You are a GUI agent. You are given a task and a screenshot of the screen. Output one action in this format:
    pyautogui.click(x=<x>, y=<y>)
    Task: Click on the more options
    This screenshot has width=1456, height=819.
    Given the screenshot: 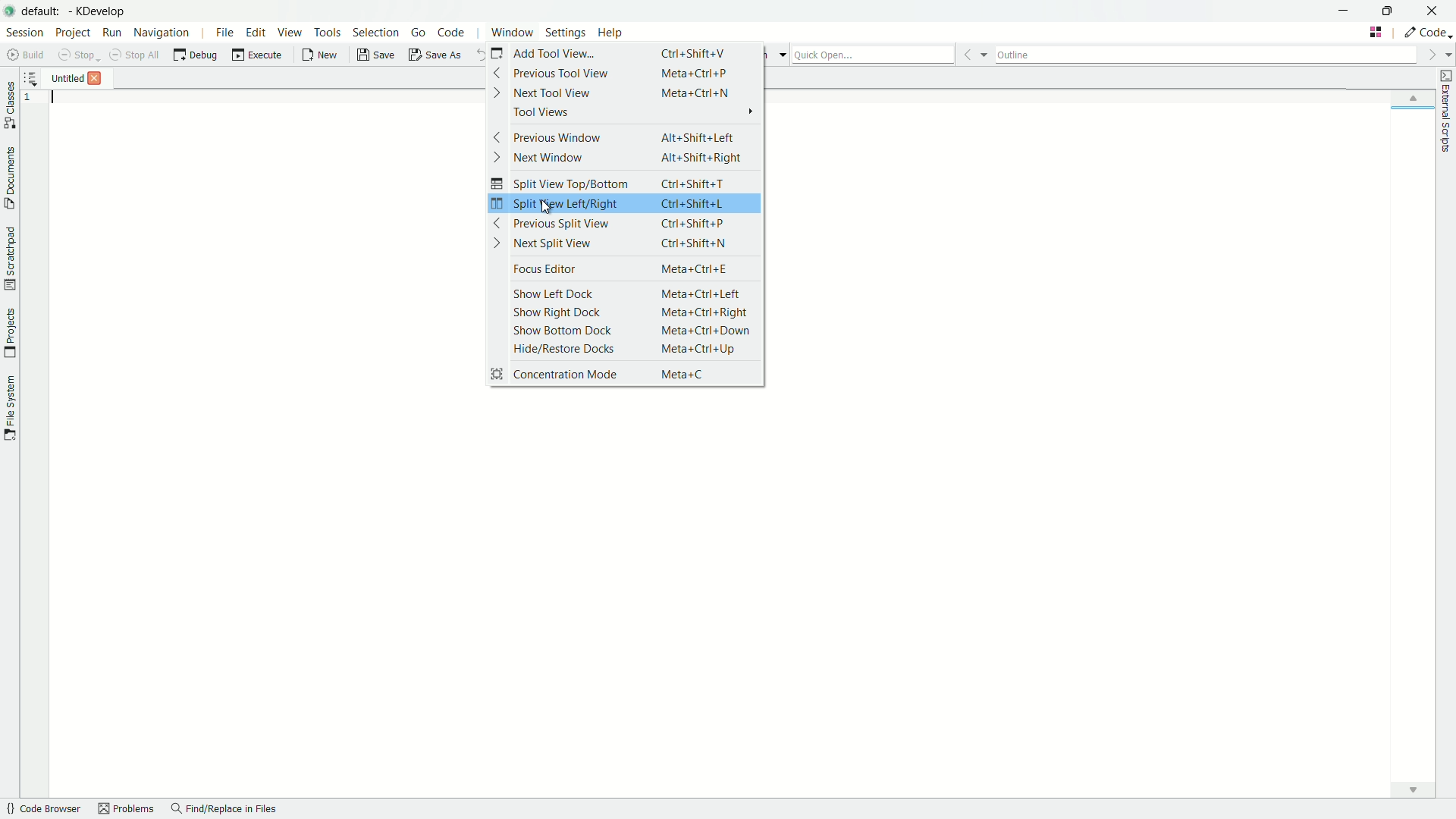 What is the action you would take?
    pyautogui.click(x=33, y=78)
    